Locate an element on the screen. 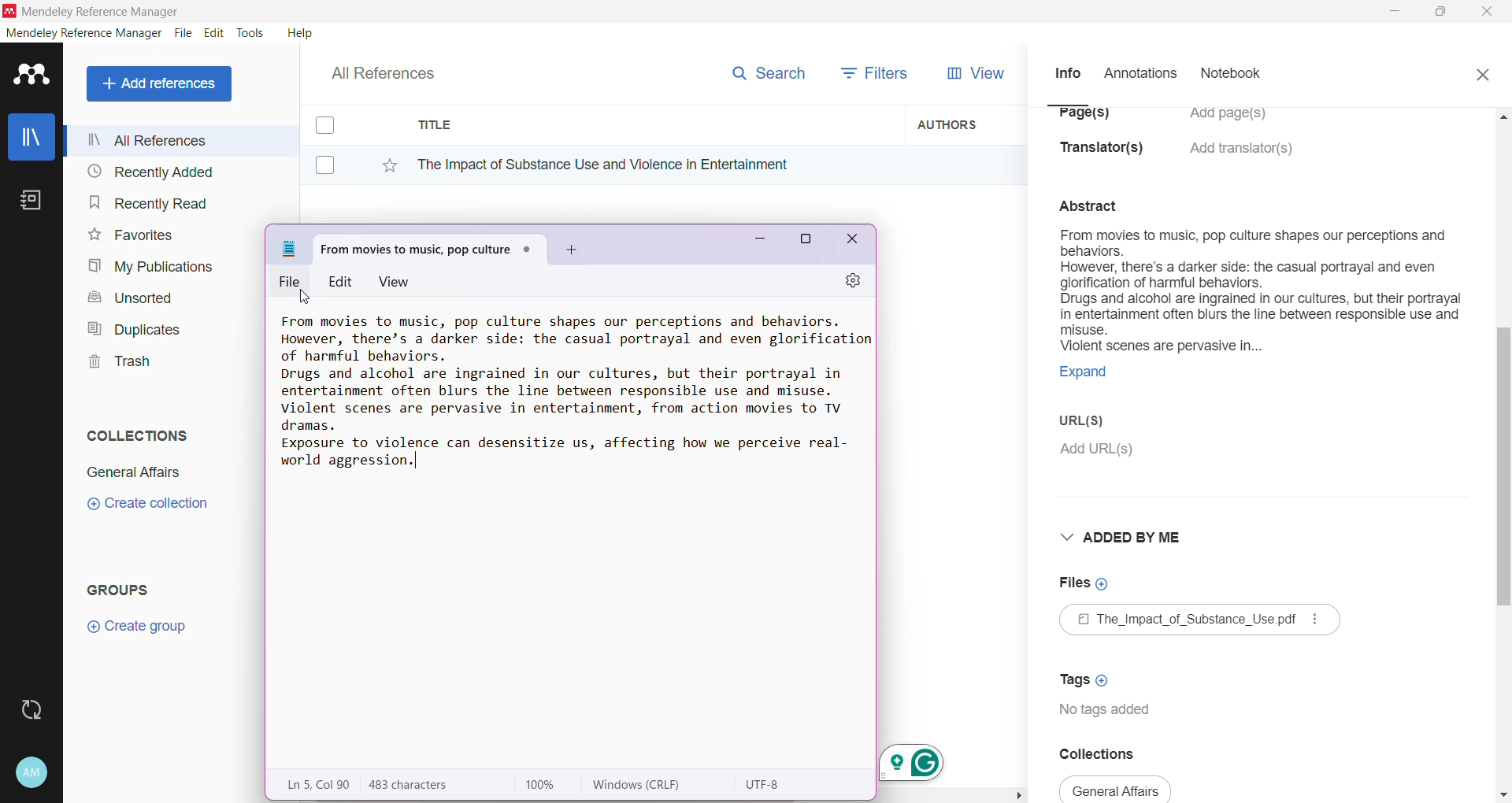 The width and height of the screenshot is (1512, 803). Default title is located at coordinates (430, 246).